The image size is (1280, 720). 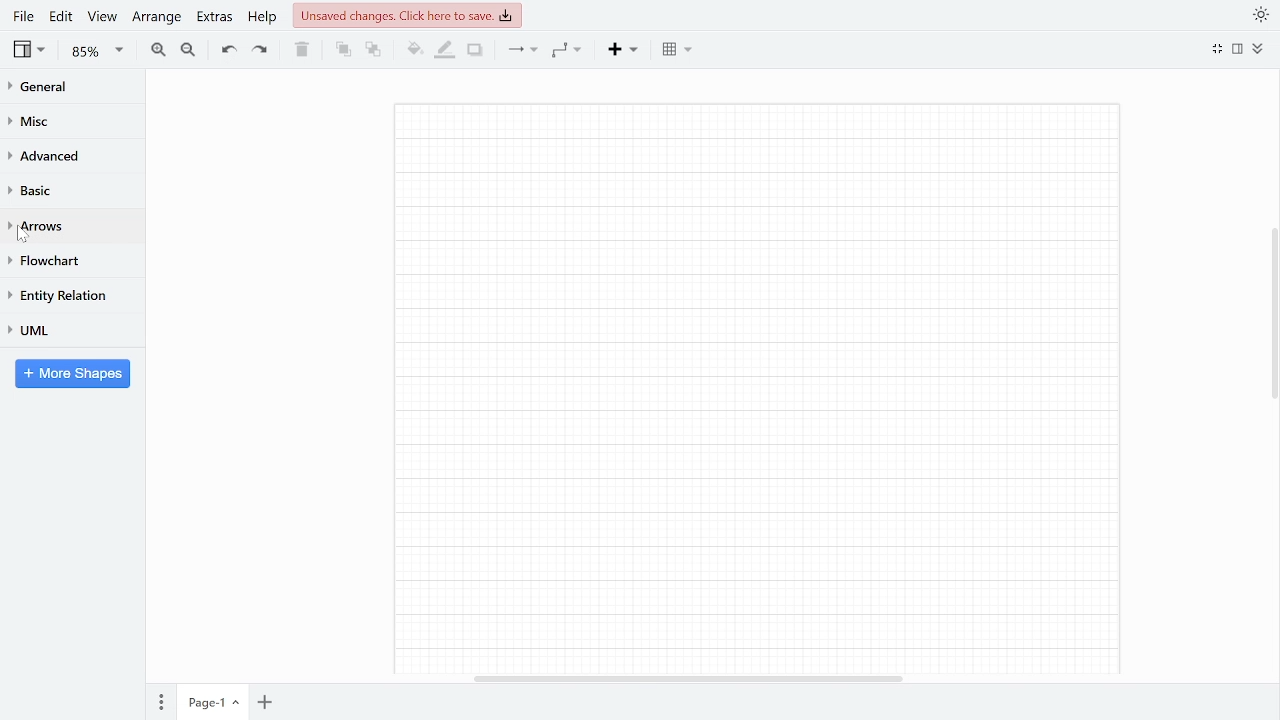 What do you see at coordinates (157, 50) in the screenshot?
I see `Zoom in` at bounding box center [157, 50].